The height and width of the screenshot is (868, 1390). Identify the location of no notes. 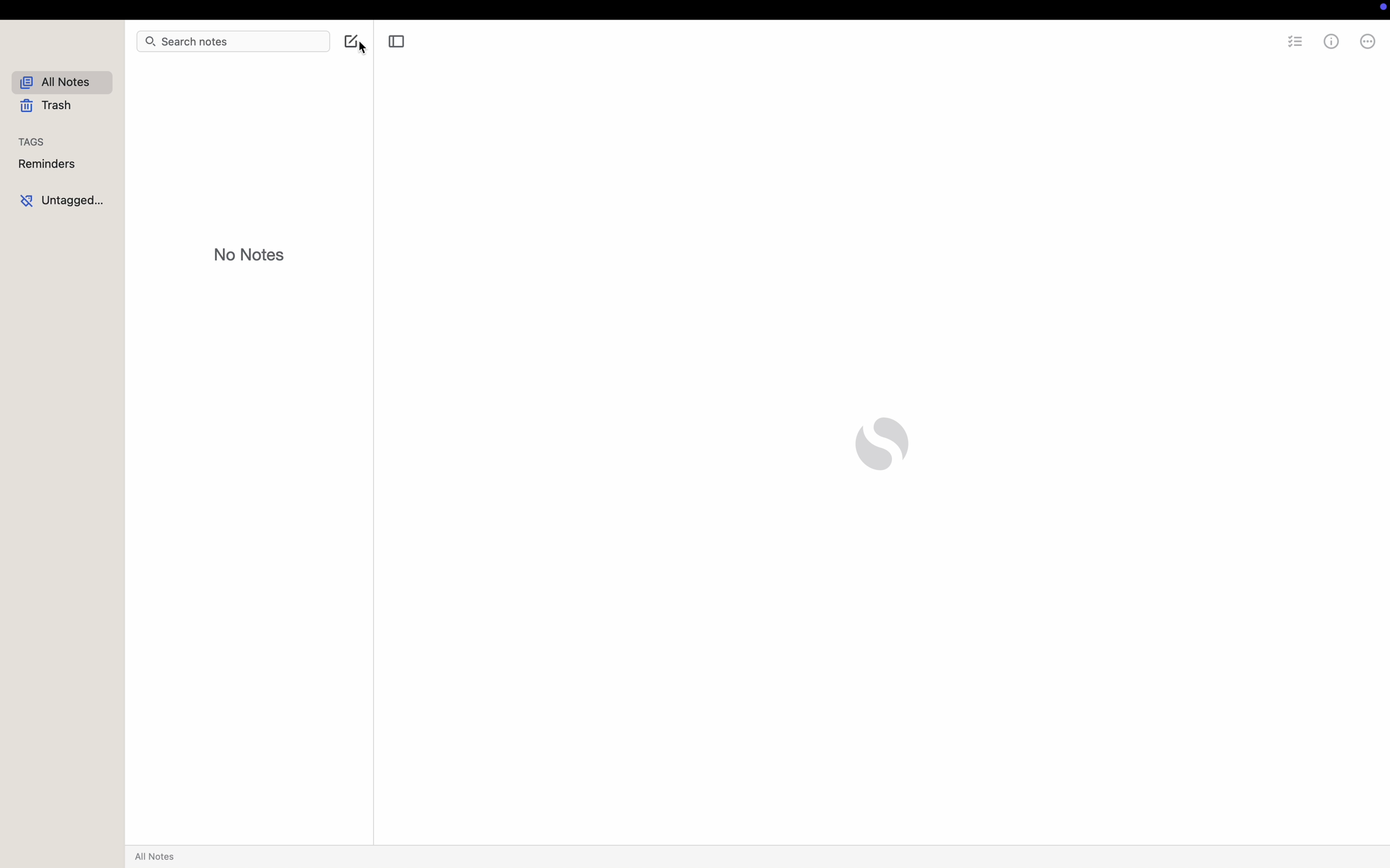
(249, 255).